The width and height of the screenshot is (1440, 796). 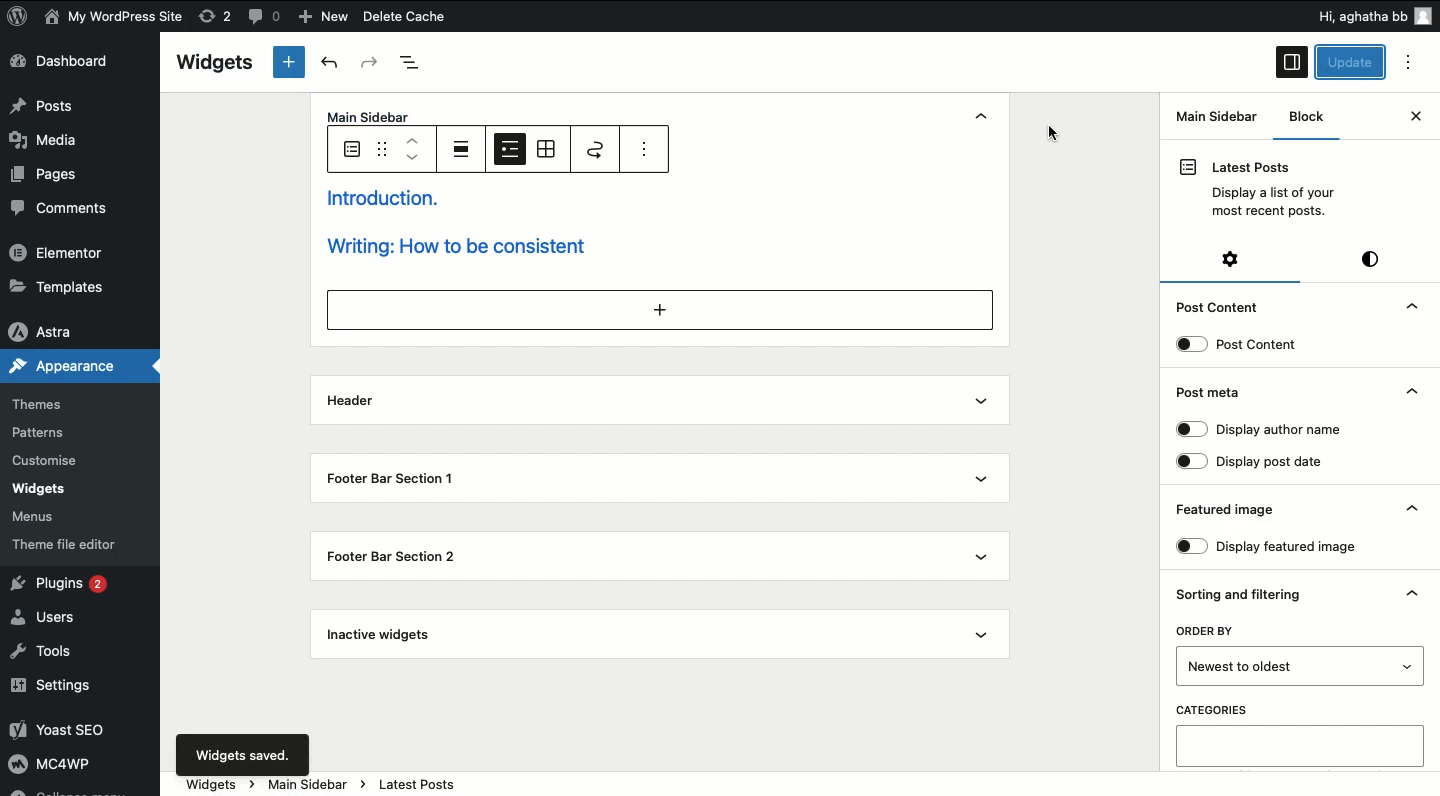 I want to click on cursor, so click(x=1053, y=131).